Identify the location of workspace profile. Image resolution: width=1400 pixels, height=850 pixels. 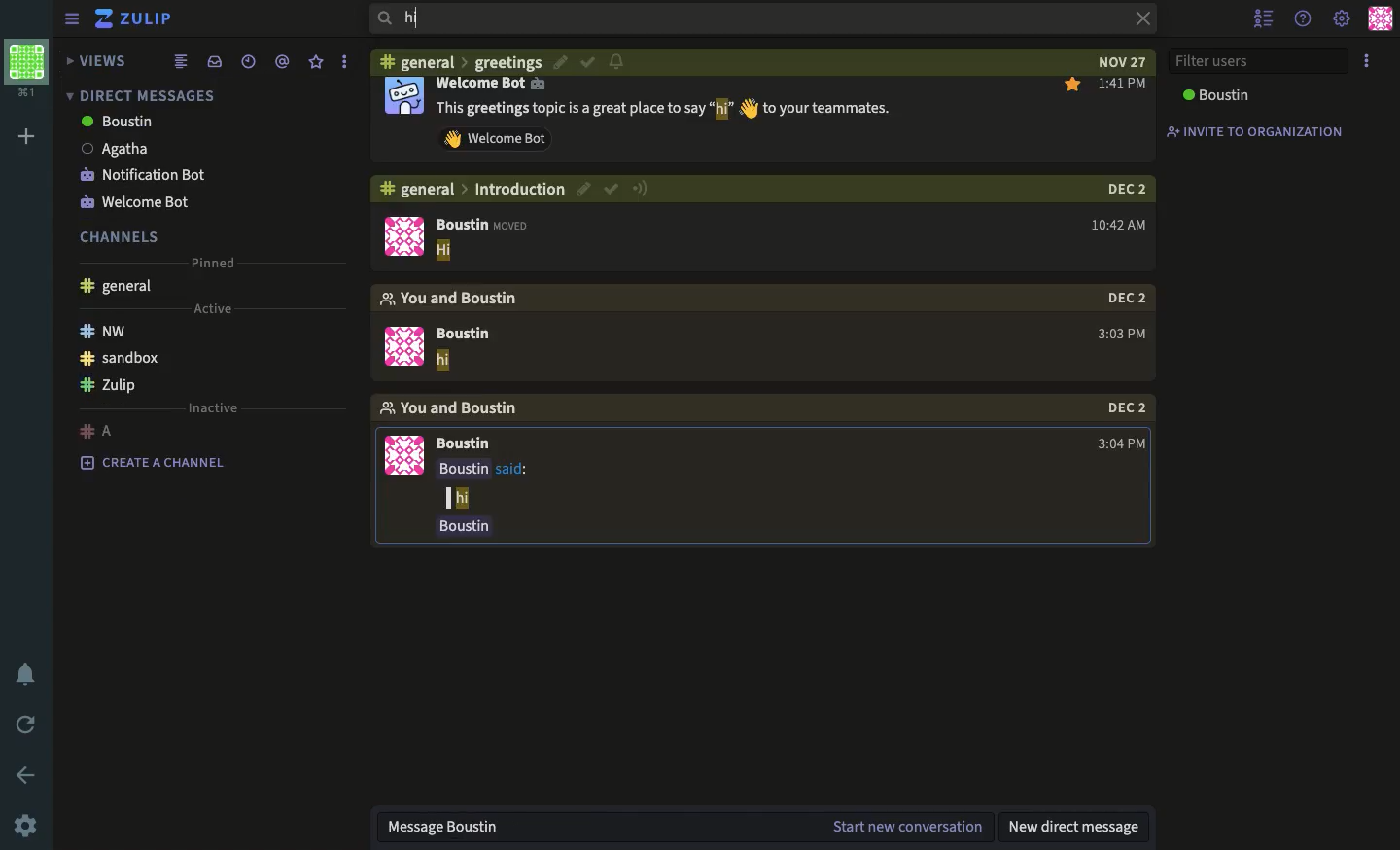
(25, 67).